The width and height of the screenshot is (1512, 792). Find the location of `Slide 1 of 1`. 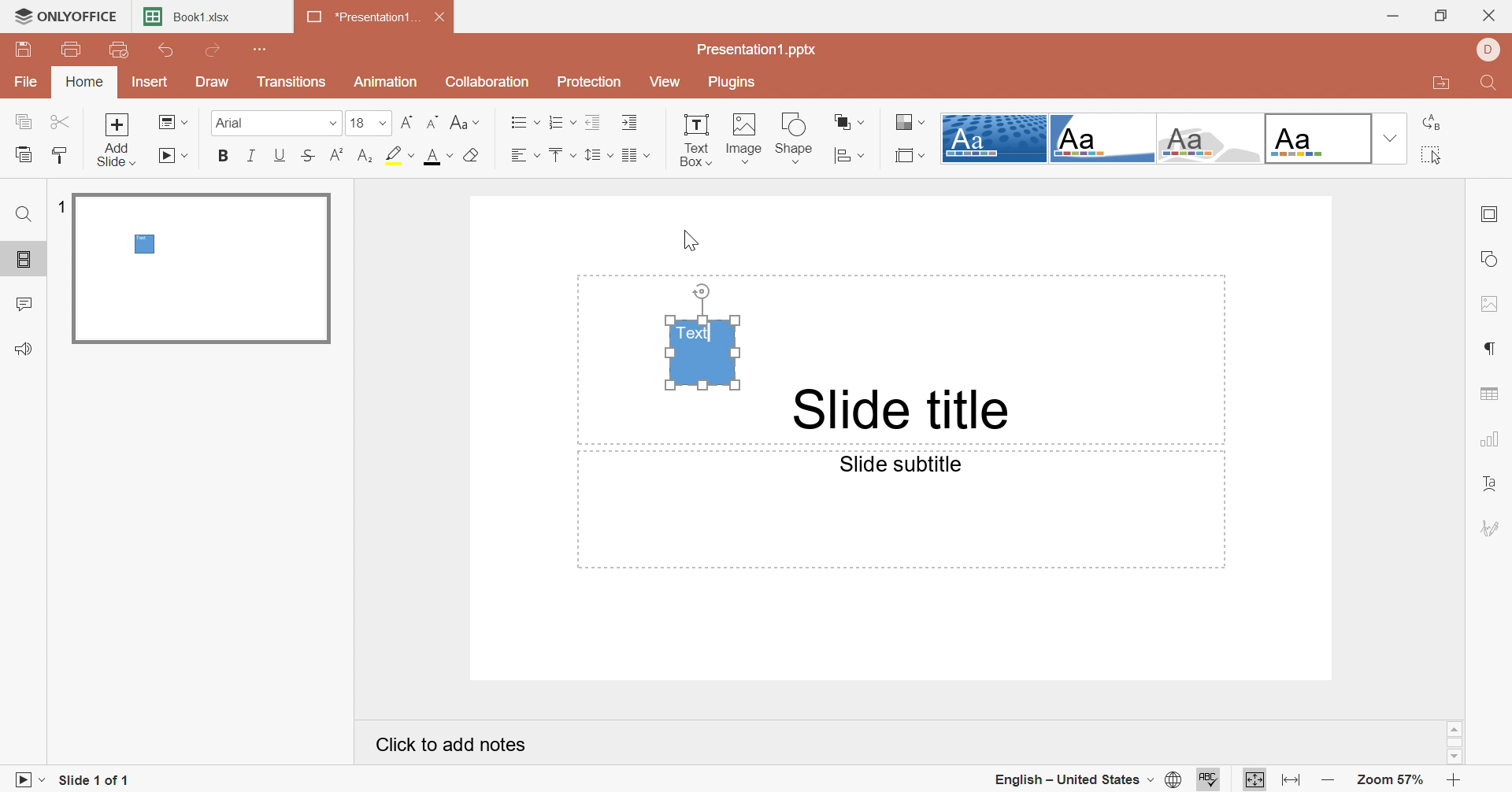

Slide 1 of 1 is located at coordinates (100, 779).